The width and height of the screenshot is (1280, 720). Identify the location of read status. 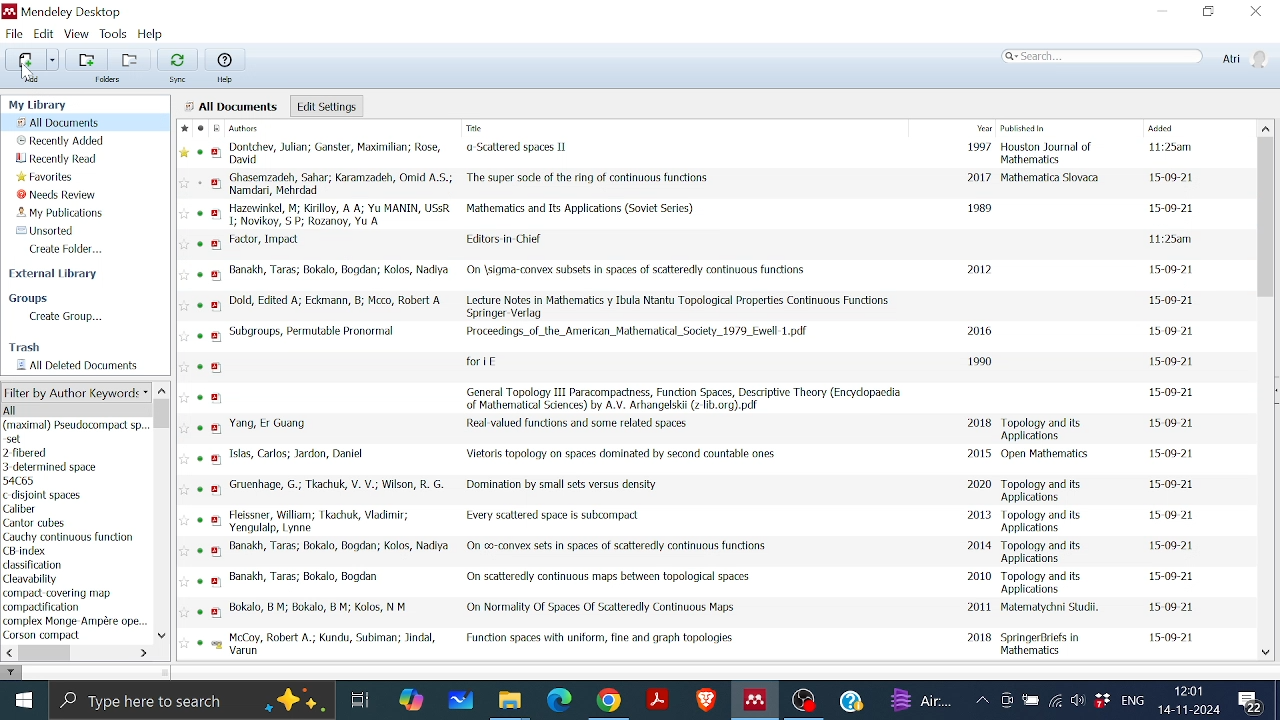
(202, 153).